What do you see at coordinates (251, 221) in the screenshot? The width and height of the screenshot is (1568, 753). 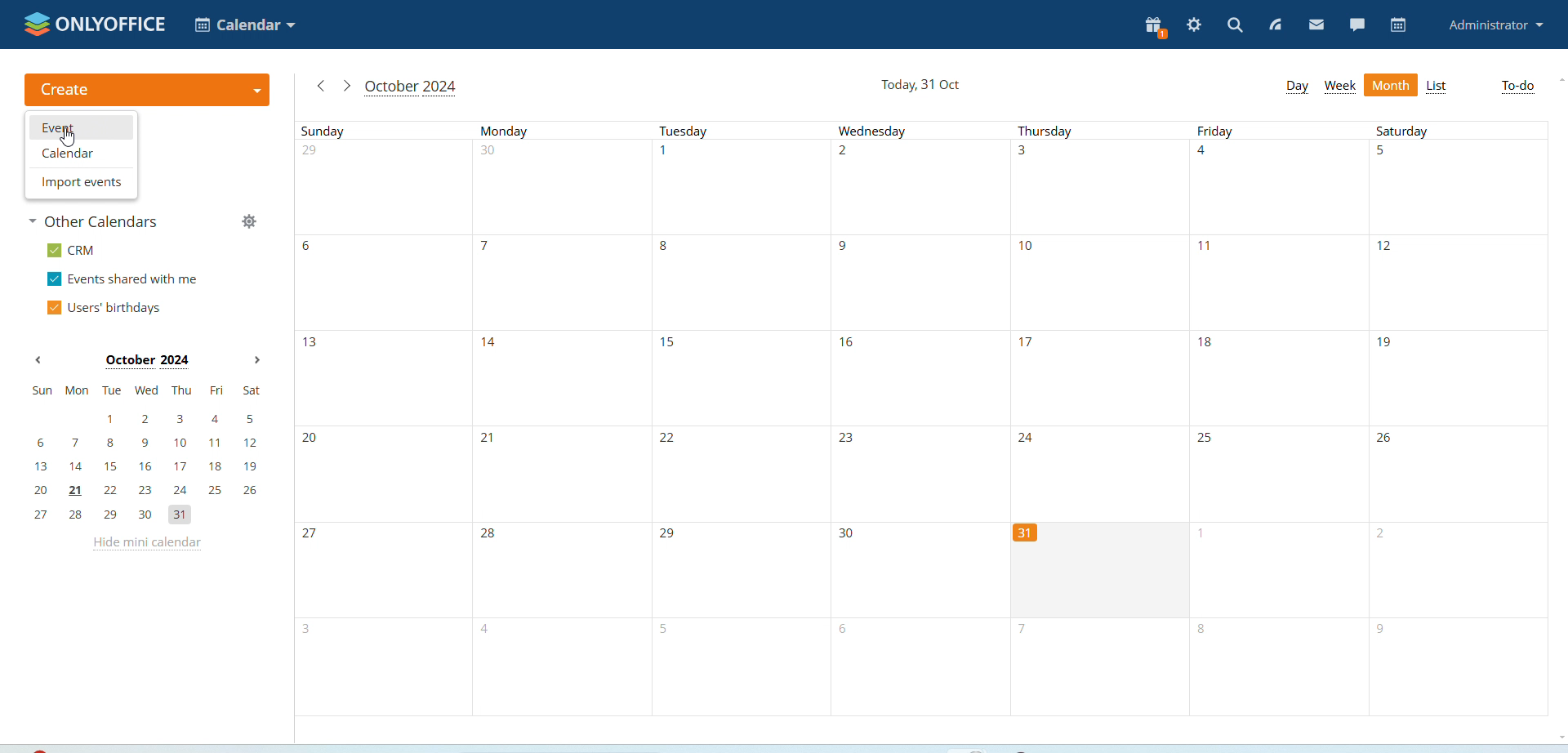 I see `manage` at bounding box center [251, 221].